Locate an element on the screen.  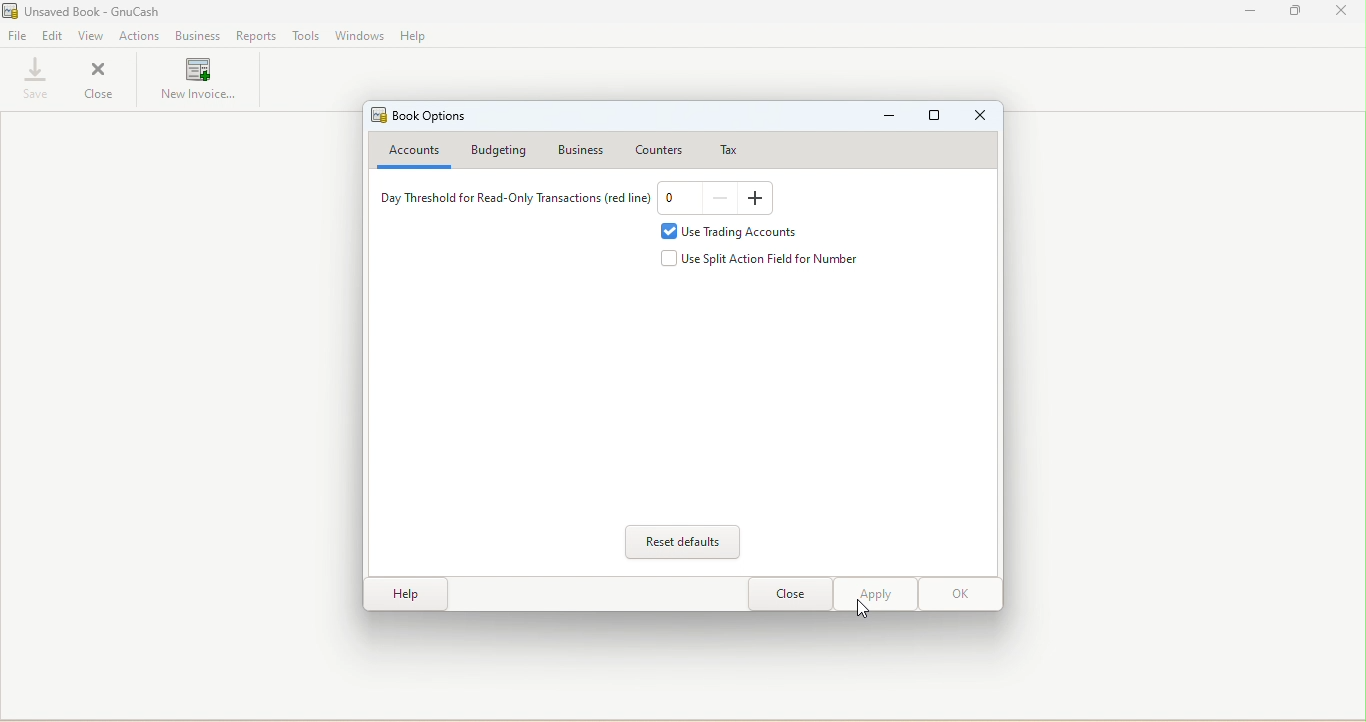
File is located at coordinates (18, 38).